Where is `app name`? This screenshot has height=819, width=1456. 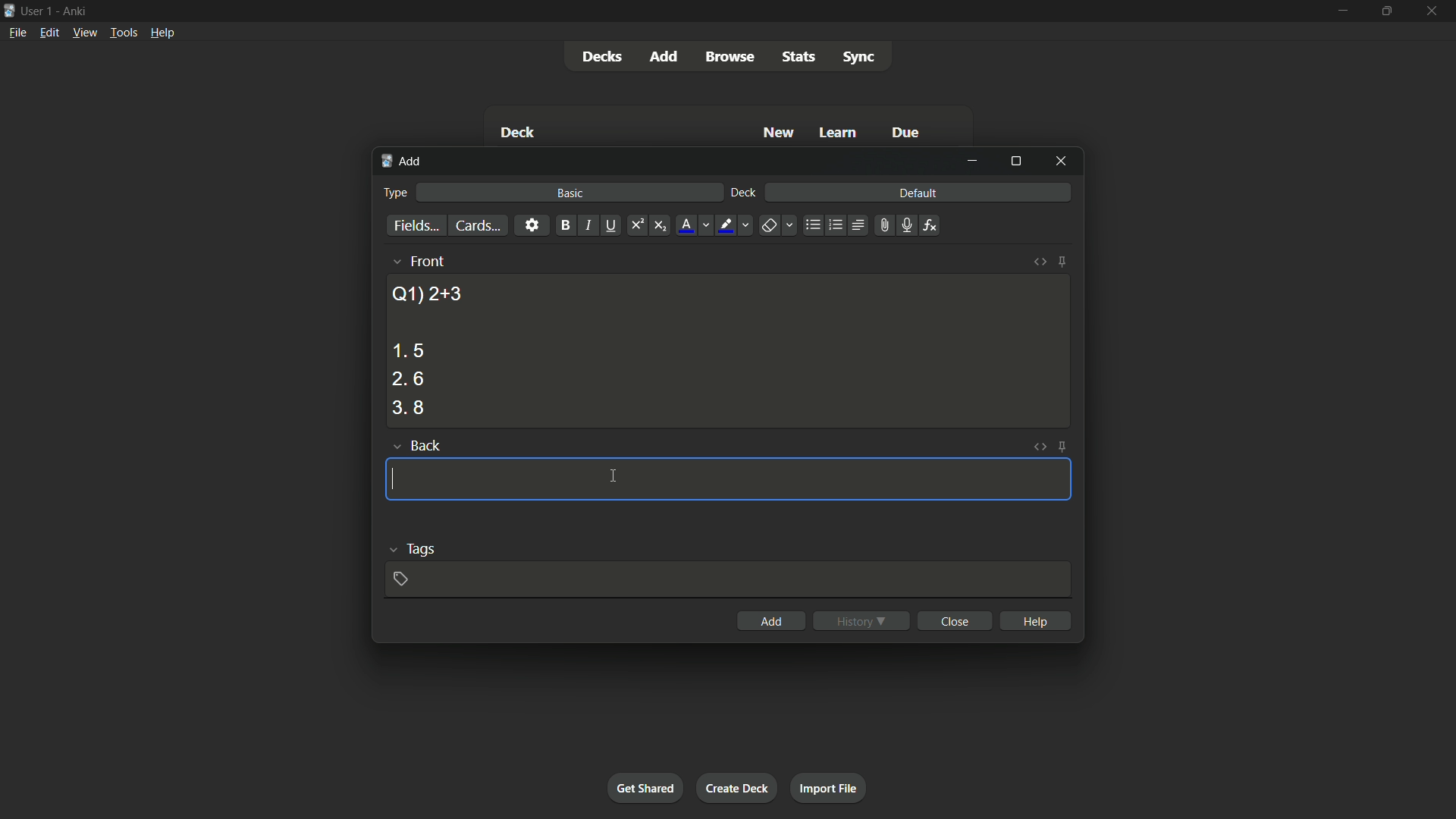
app name is located at coordinates (74, 9).